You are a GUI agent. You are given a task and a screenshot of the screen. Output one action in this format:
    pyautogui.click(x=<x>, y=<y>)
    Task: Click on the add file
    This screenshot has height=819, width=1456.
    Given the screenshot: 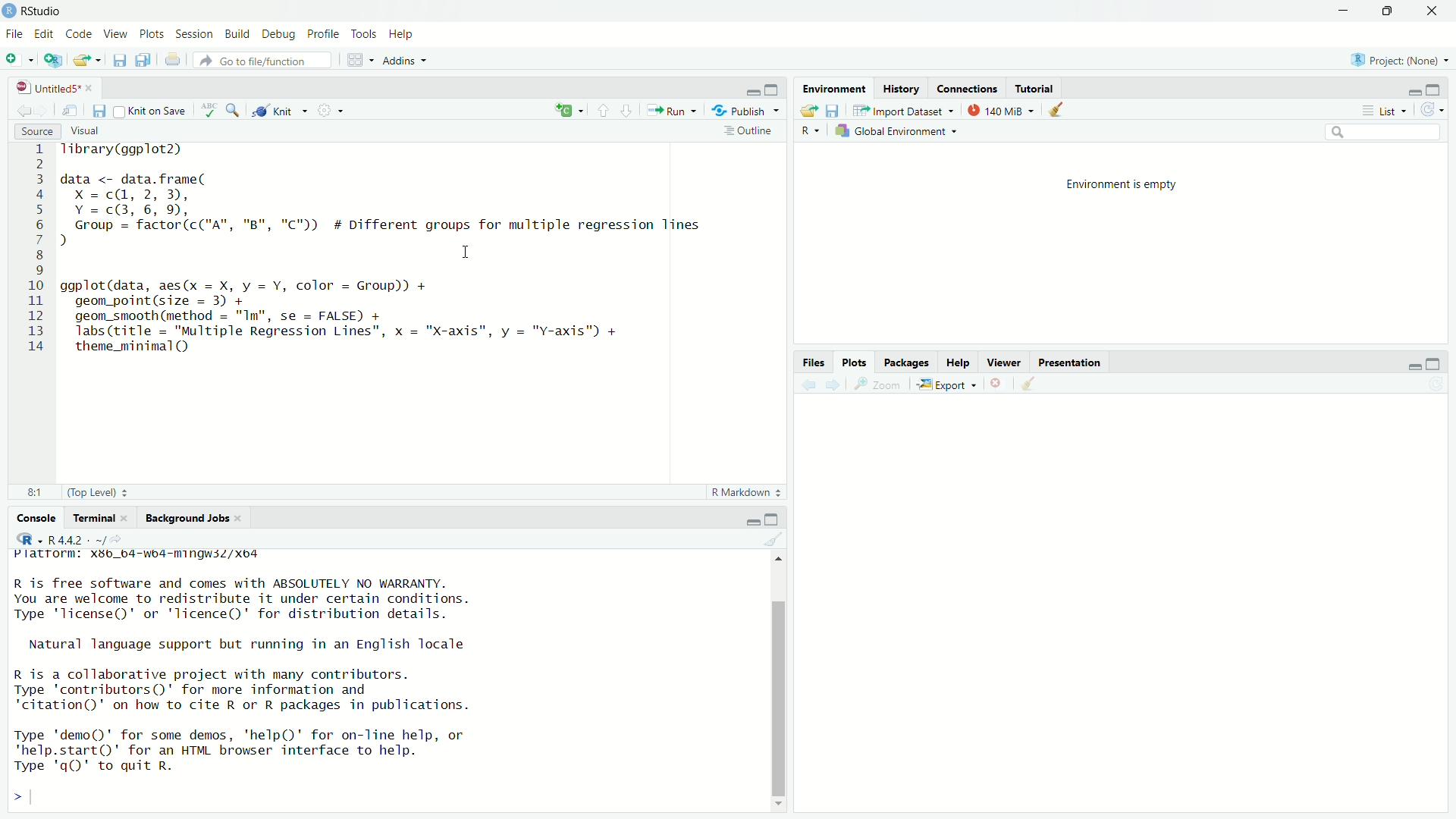 What is the action you would take?
    pyautogui.click(x=21, y=59)
    